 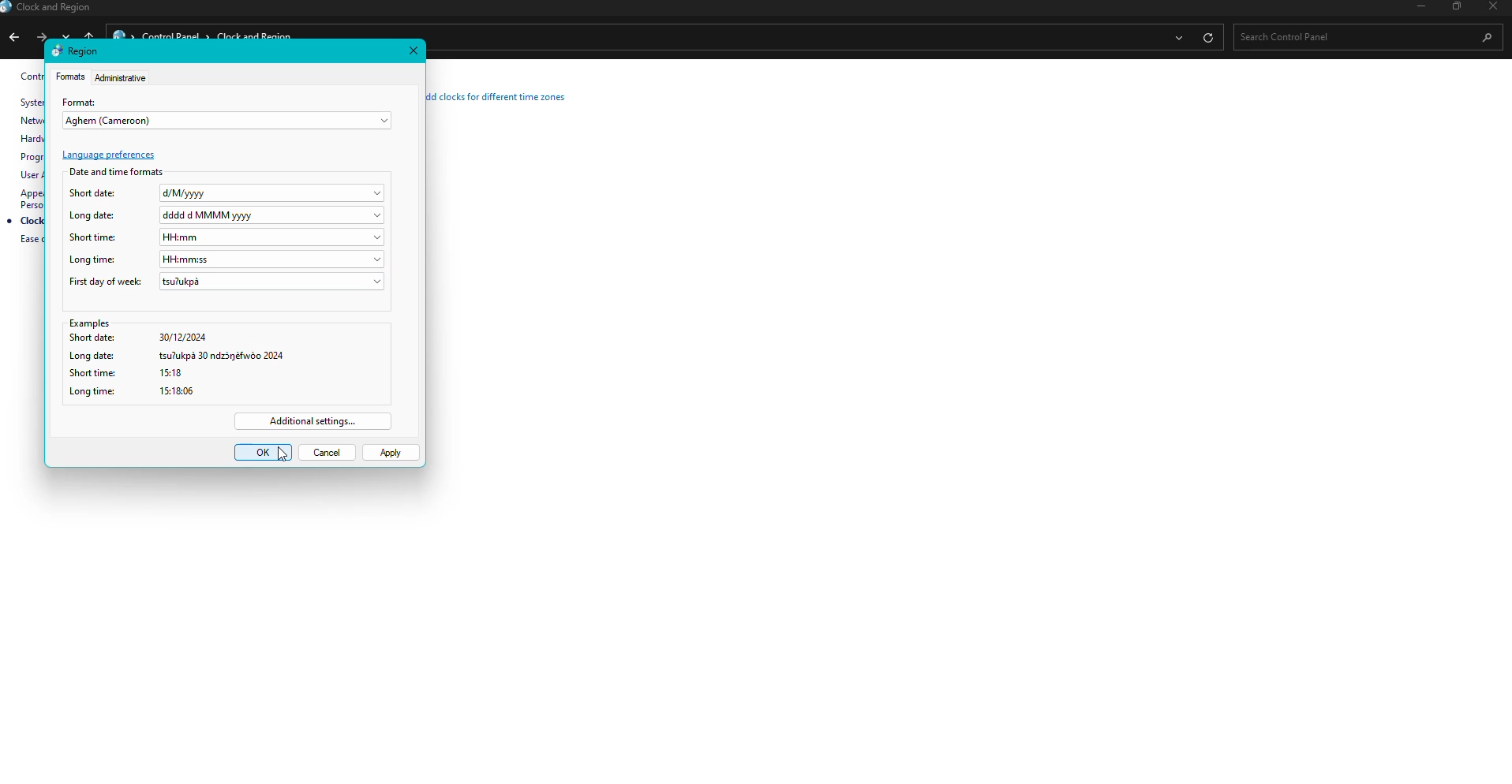 I want to click on Short time, so click(x=226, y=237).